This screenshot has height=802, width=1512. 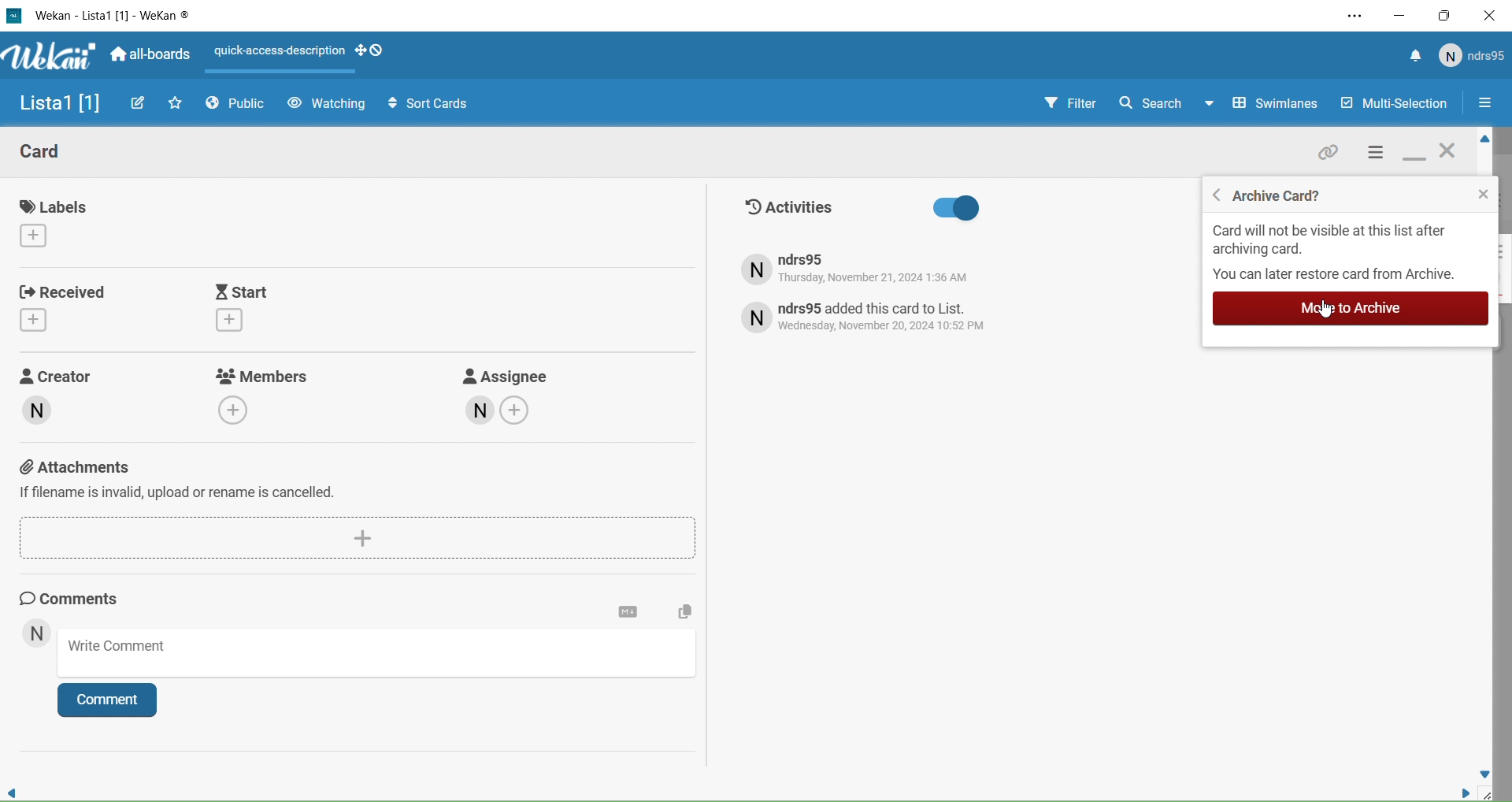 I want to click on Activities, so click(x=921, y=212).